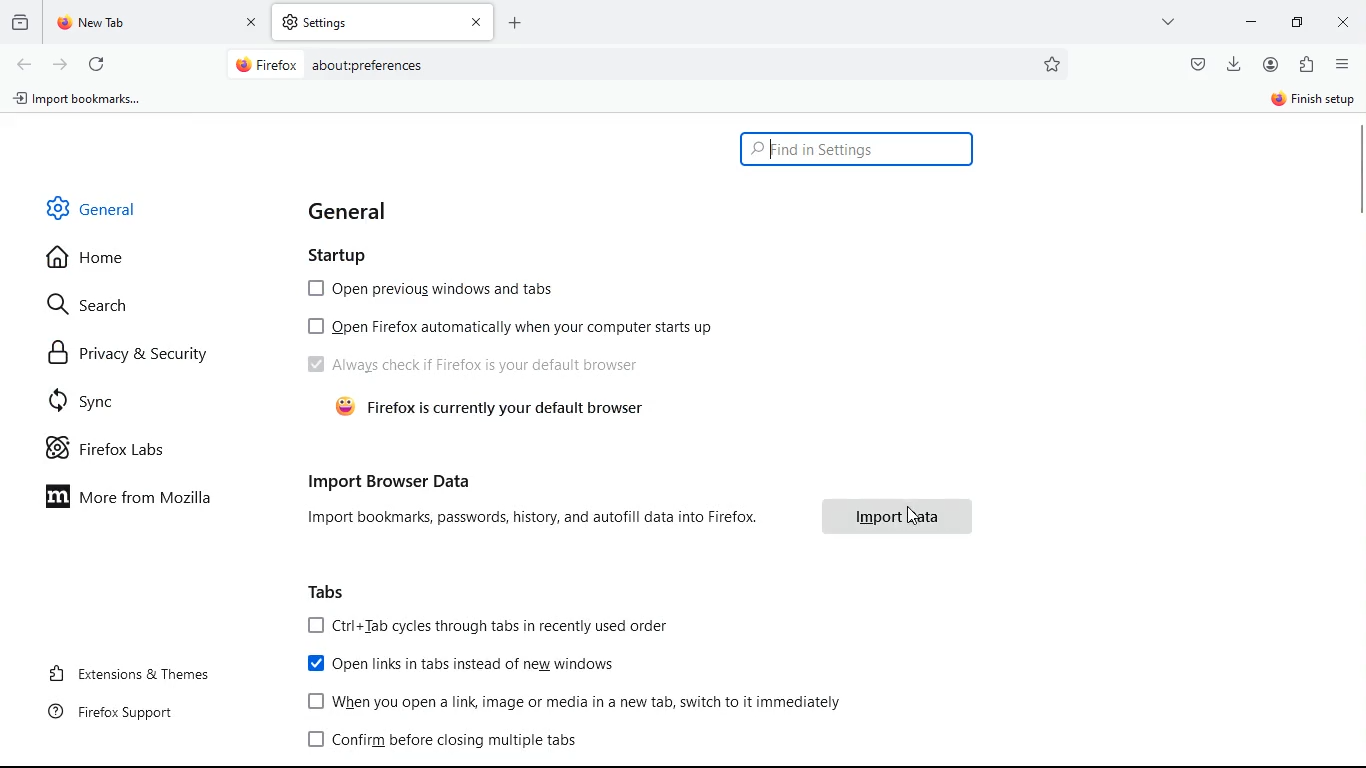 The width and height of the screenshot is (1366, 768). I want to click on Search bar, so click(859, 149).